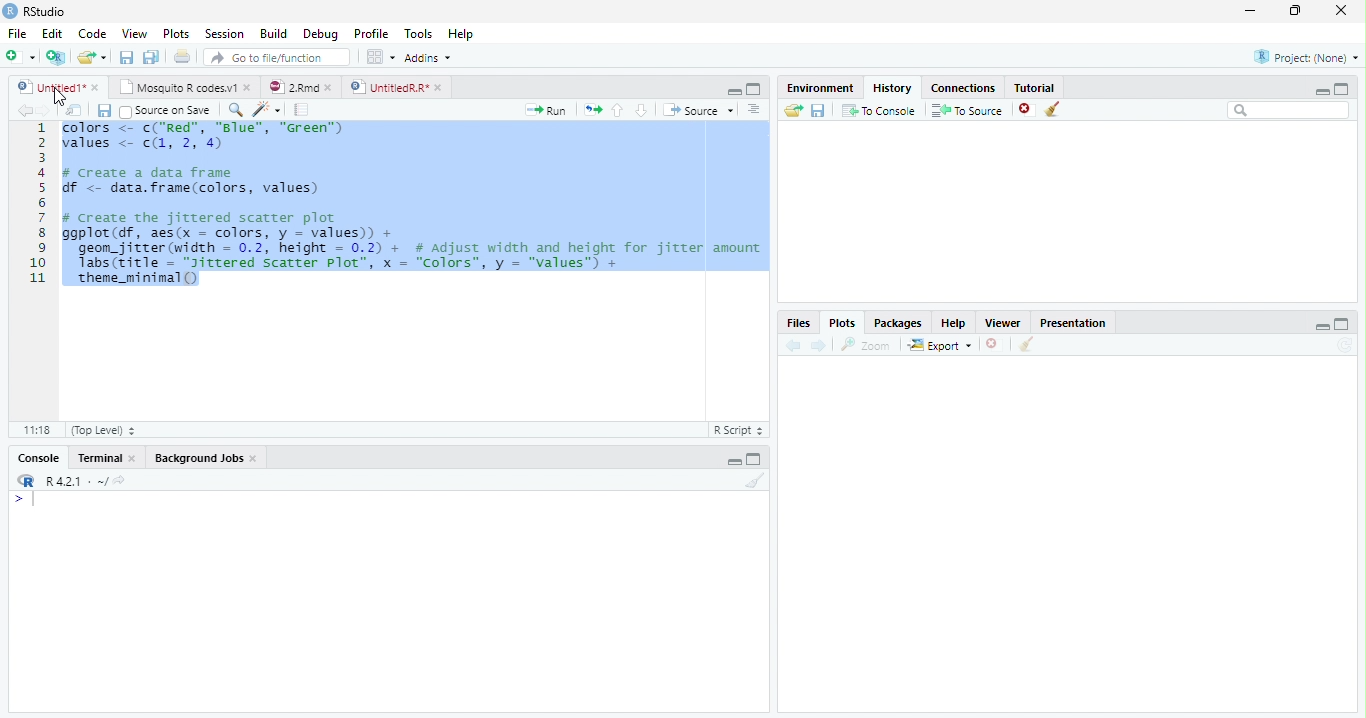 The image size is (1366, 718). What do you see at coordinates (592, 110) in the screenshot?
I see `Re-run the previous code region` at bounding box center [592, 110].